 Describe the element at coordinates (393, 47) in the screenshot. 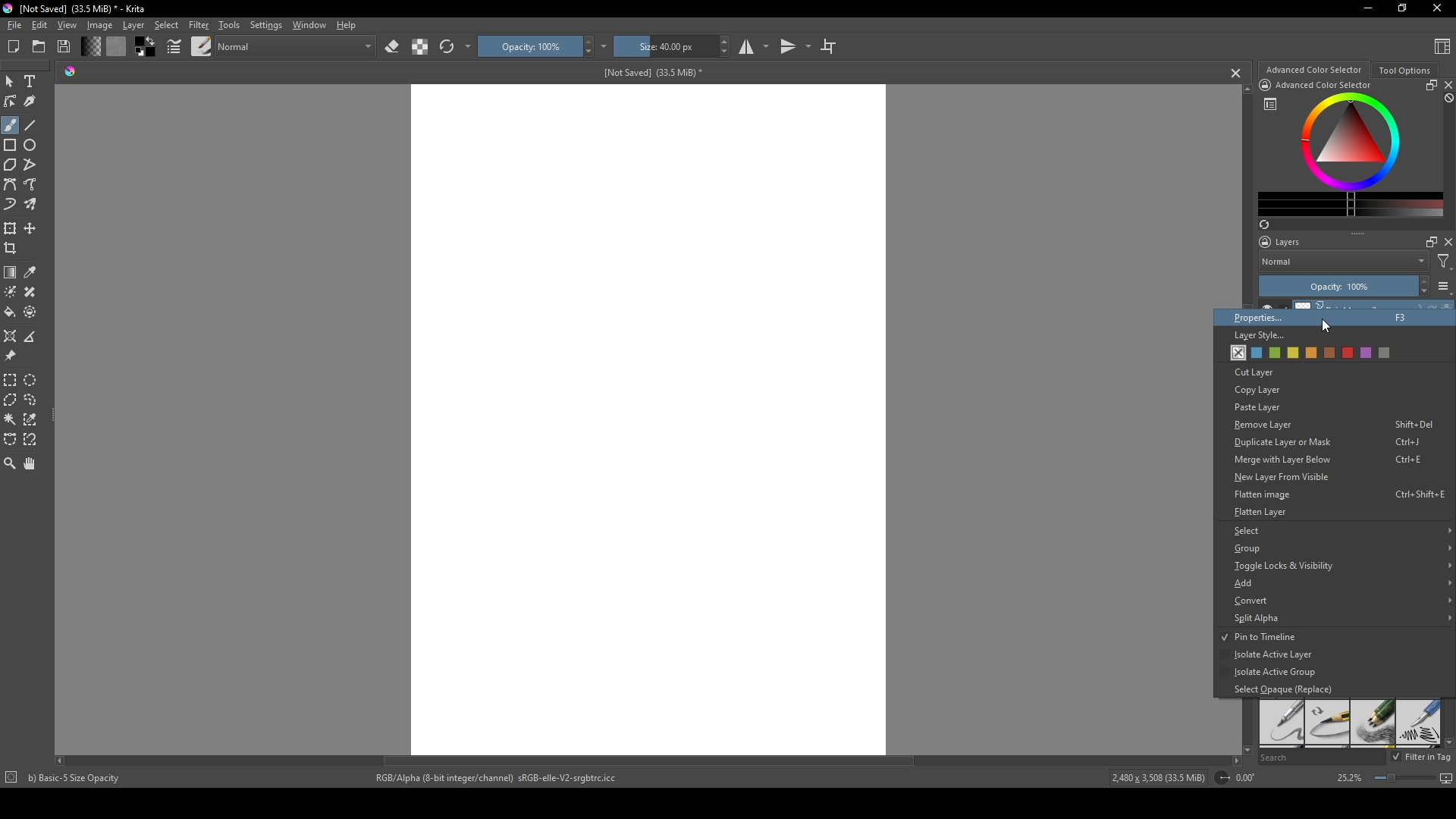

I see `erase` at that location.